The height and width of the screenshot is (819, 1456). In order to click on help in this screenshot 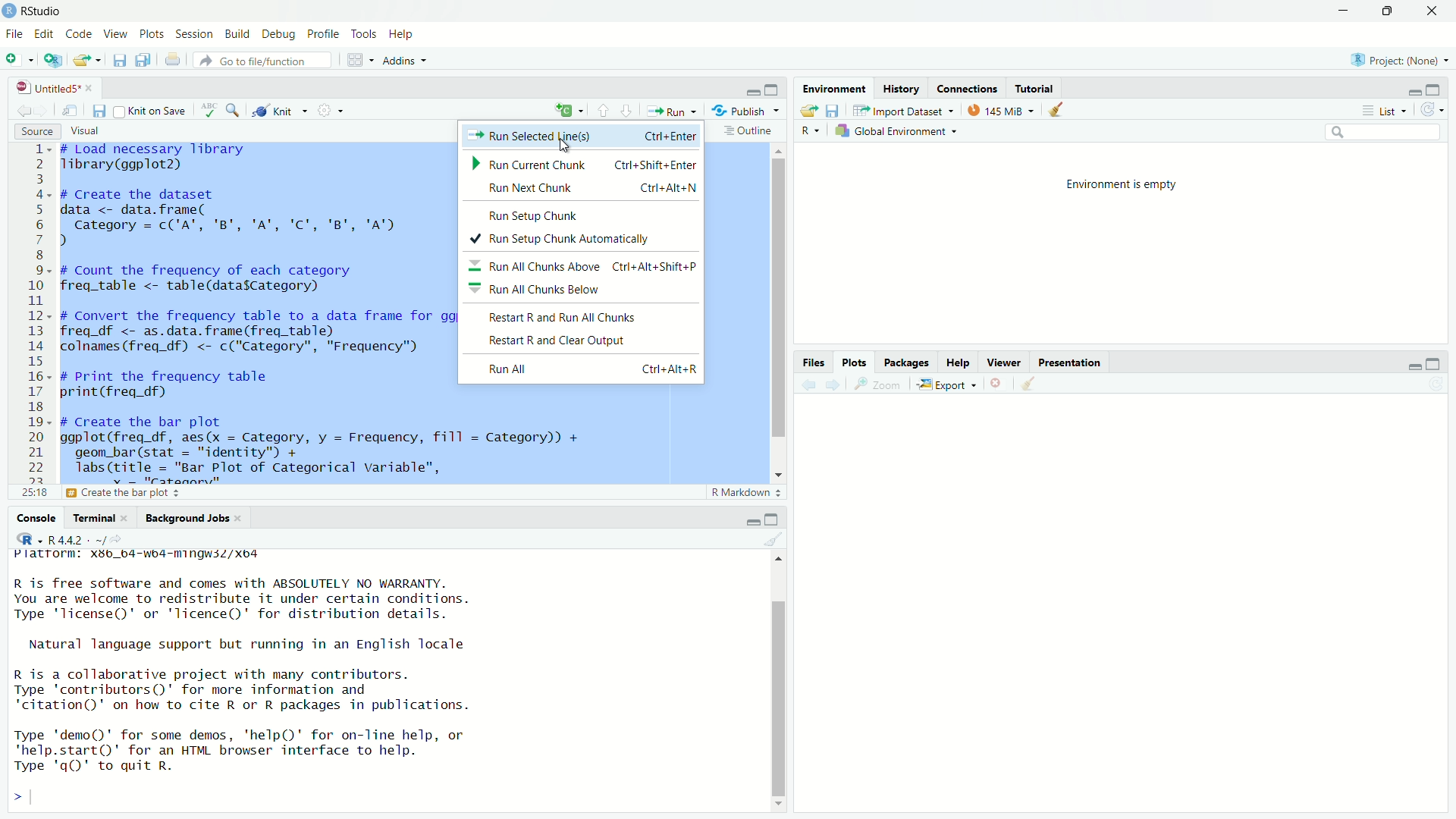, I will do `click(958, 363)`.